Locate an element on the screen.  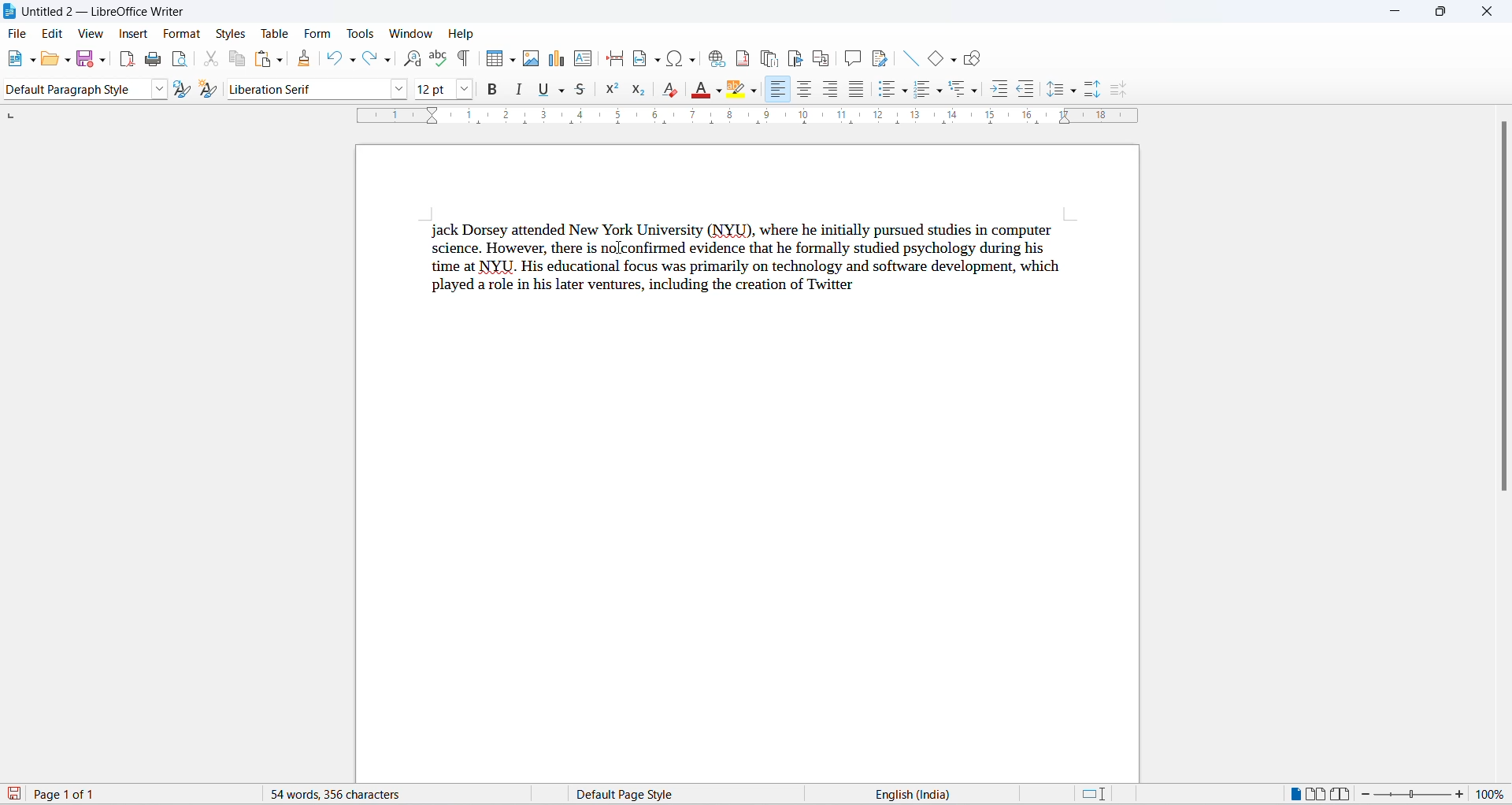
text align left is located at coordinates (778, 88).